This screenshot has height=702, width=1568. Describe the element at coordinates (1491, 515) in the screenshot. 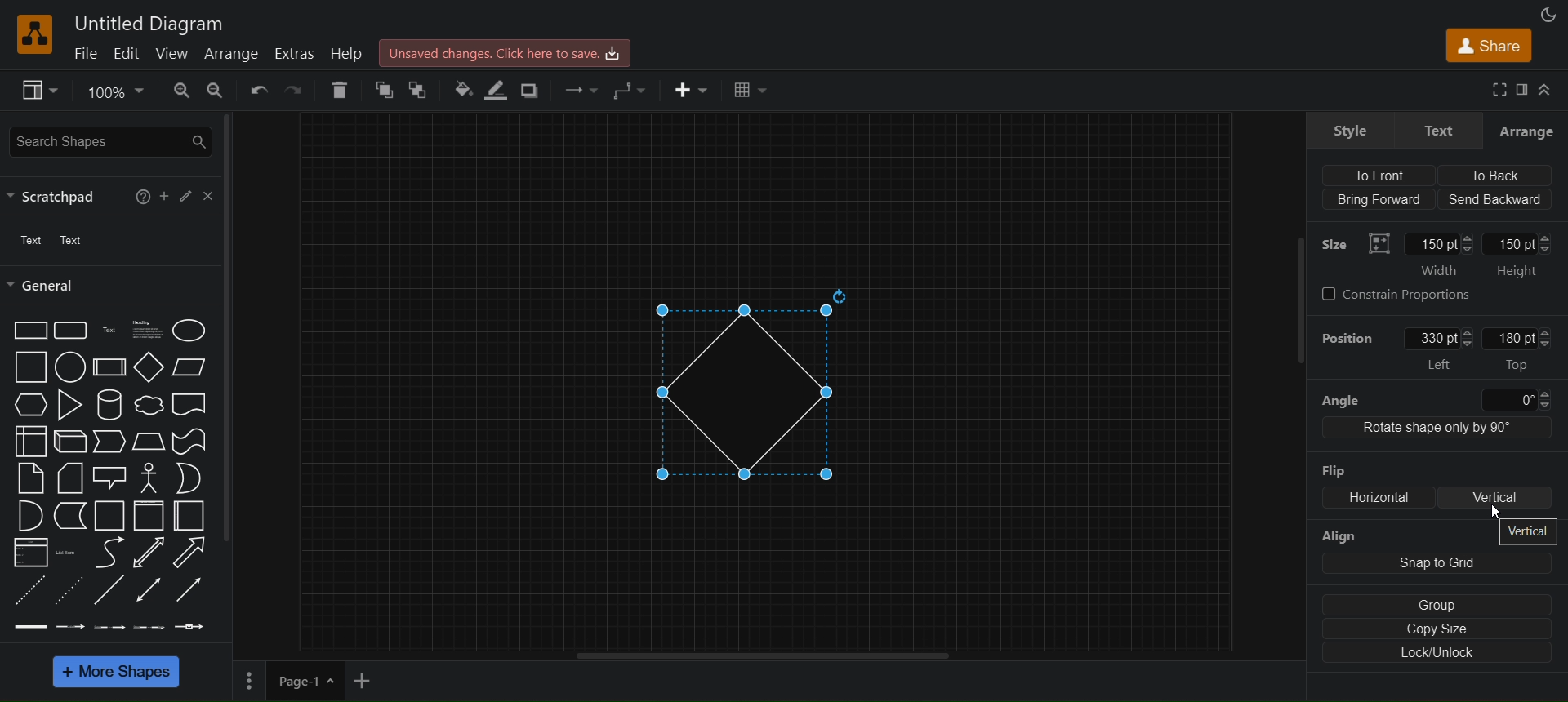

I see `cursor` at that location.